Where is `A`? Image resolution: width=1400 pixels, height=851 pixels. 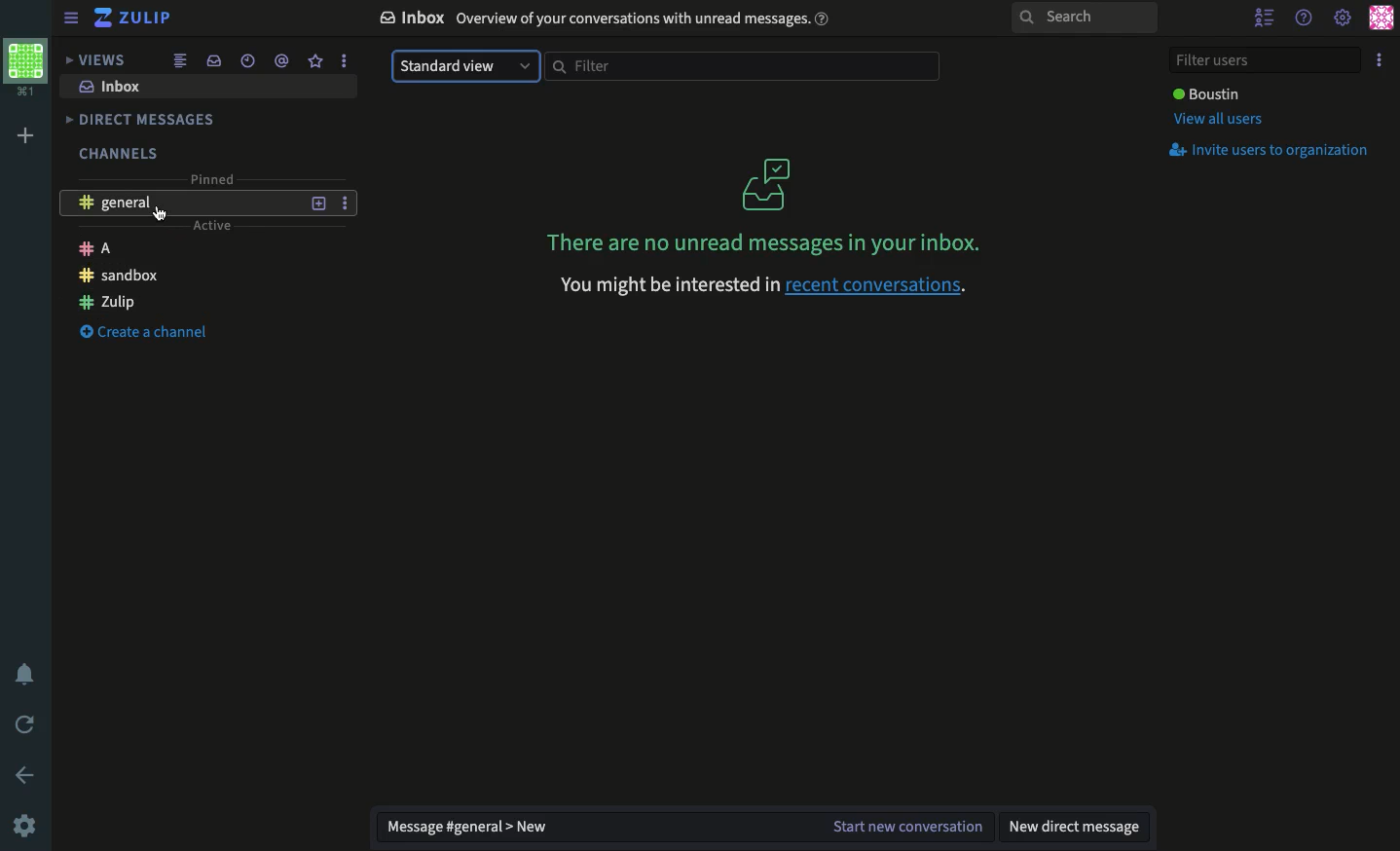 A is located at coordinates (96, 248).